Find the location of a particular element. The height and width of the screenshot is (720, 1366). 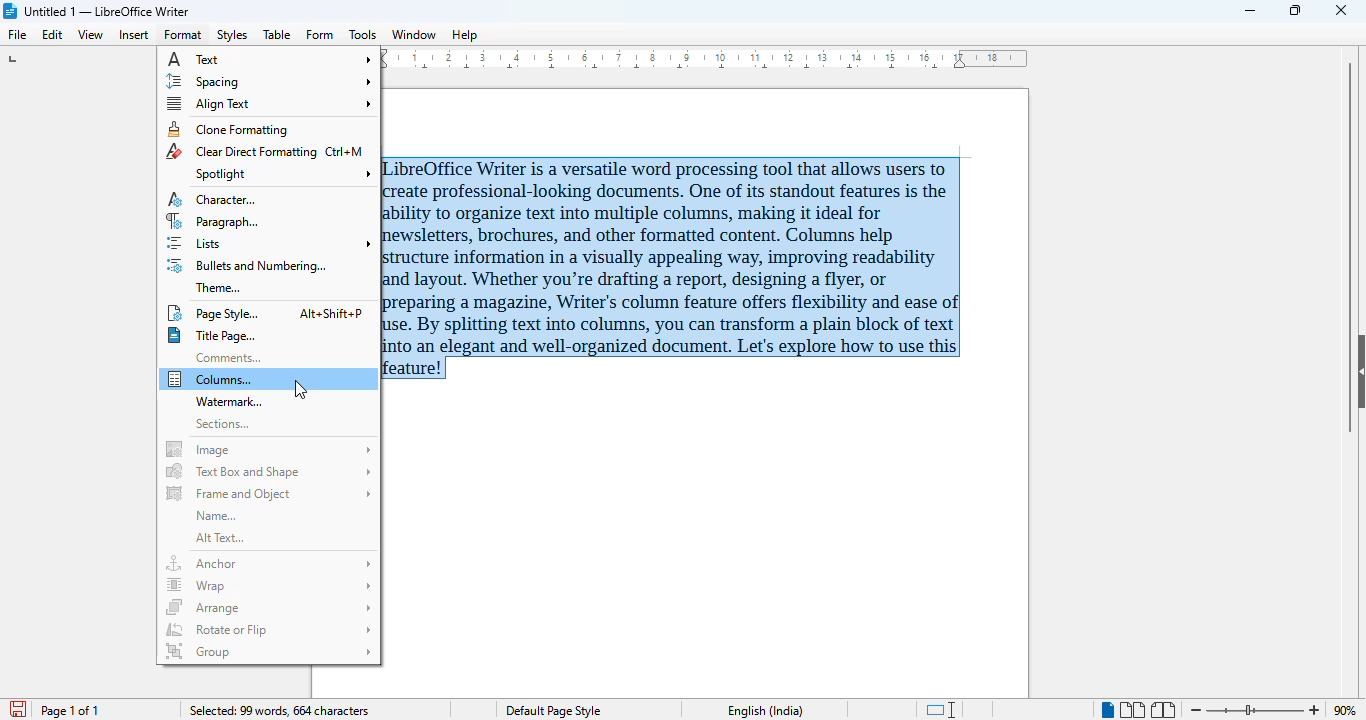

paragraph is located at coordinates (214, 222).